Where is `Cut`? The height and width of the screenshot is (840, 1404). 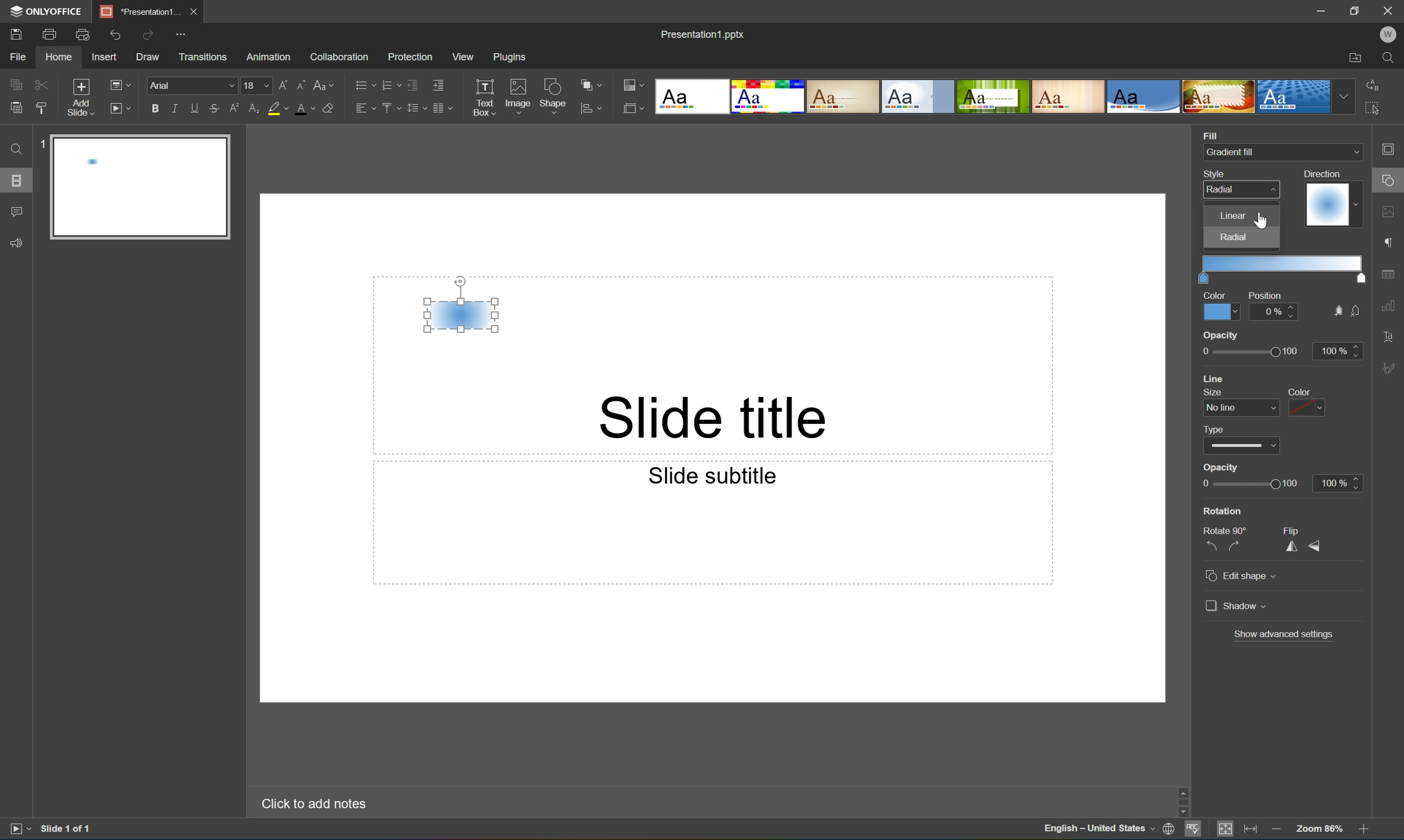 Cut is located at coordinates (40, 84).